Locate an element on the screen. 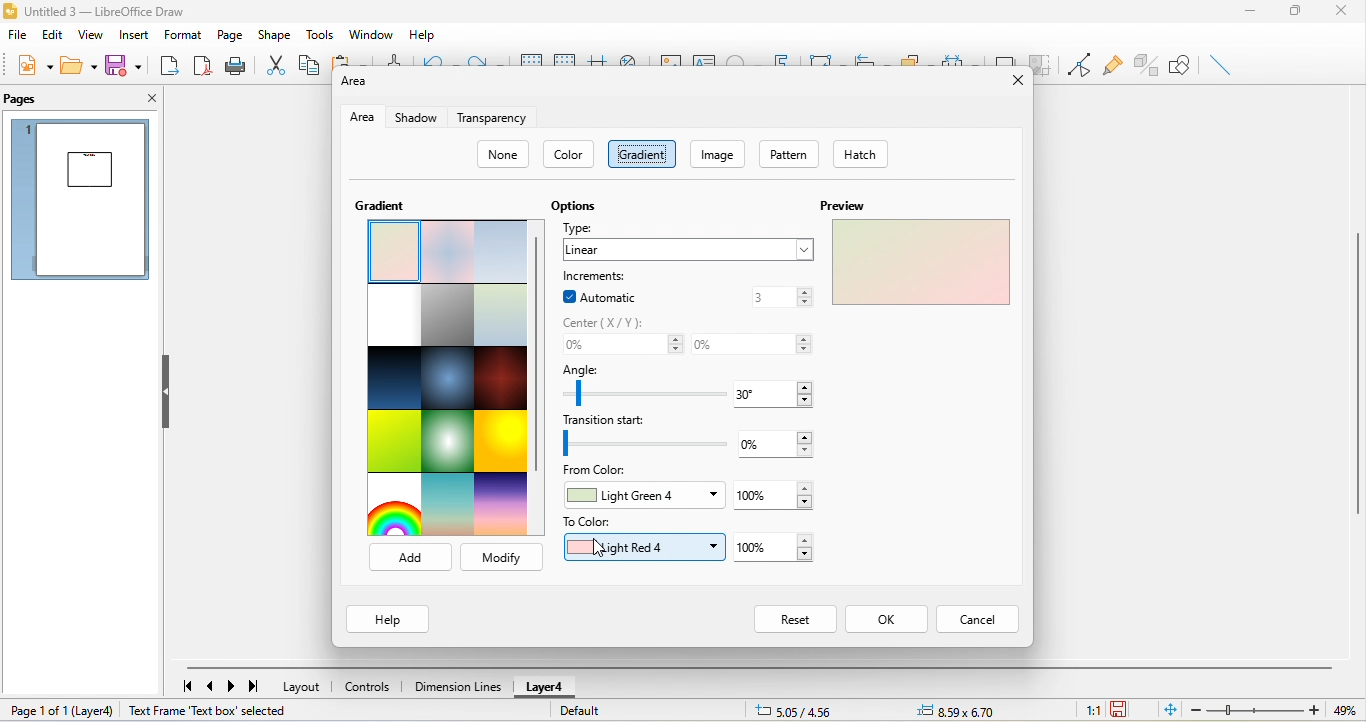 This screenshot has height=722, width=1366. set transition start is located at coordinates (643, 444).